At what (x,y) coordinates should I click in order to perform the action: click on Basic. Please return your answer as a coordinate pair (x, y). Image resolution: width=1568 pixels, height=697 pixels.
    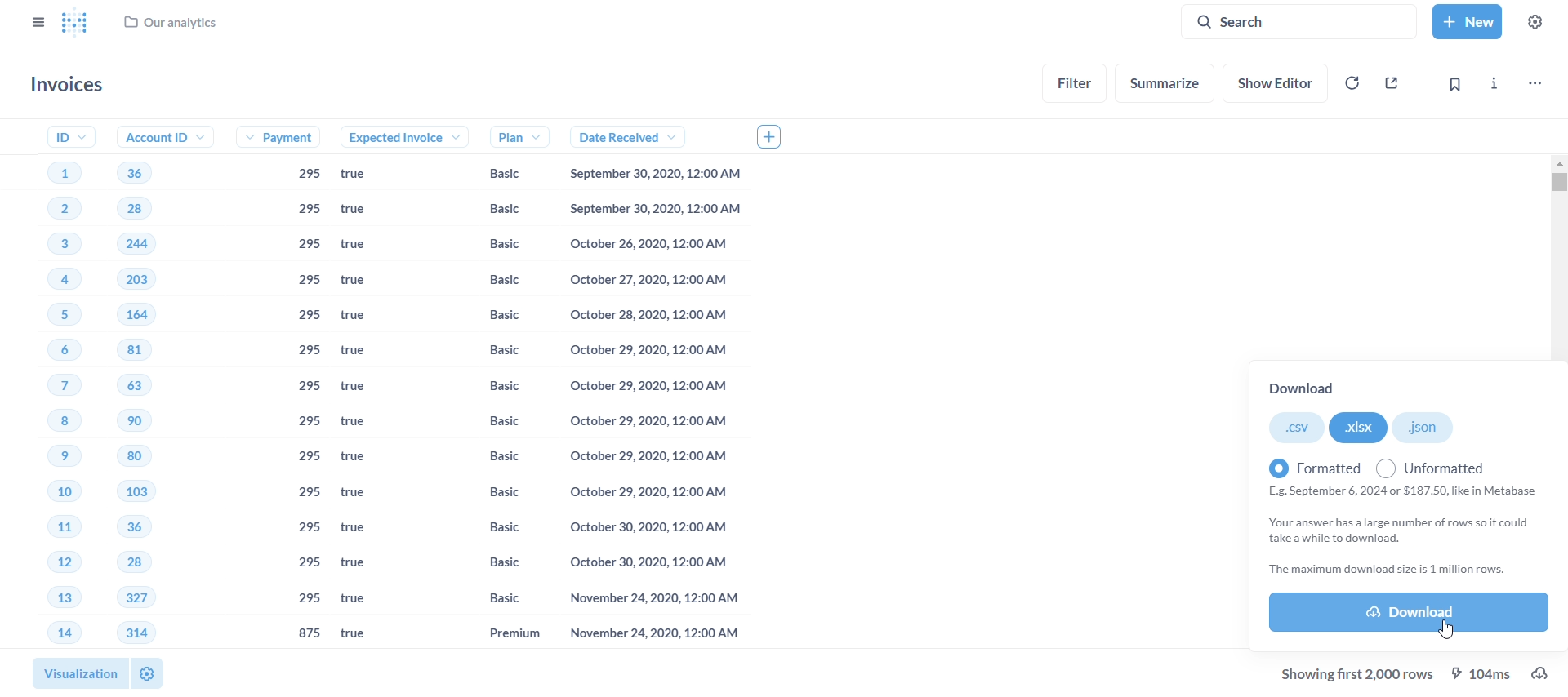
    Looking at the image, I should click on (499, 174).